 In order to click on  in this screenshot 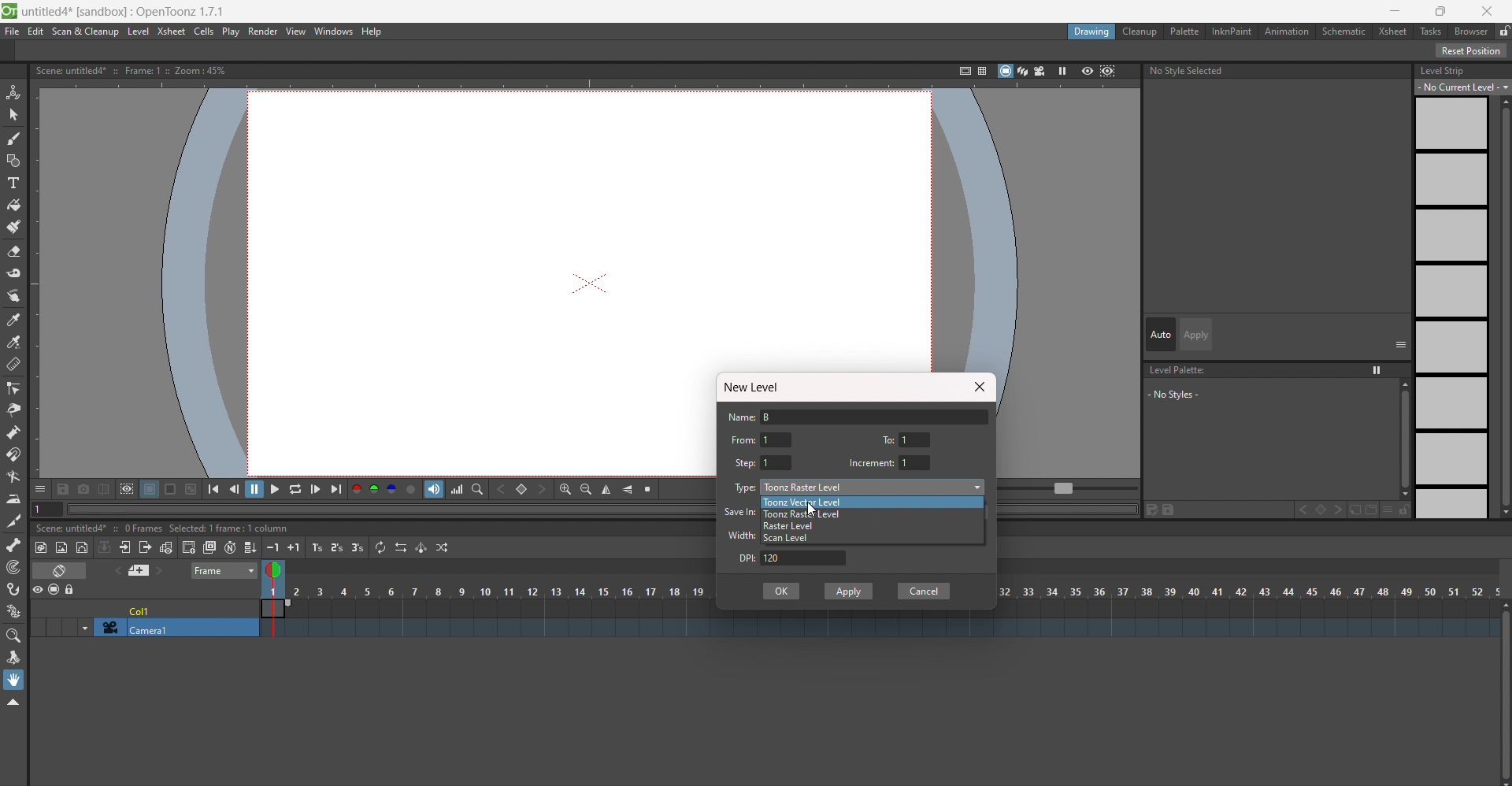, I will do `click(56, 588)`.